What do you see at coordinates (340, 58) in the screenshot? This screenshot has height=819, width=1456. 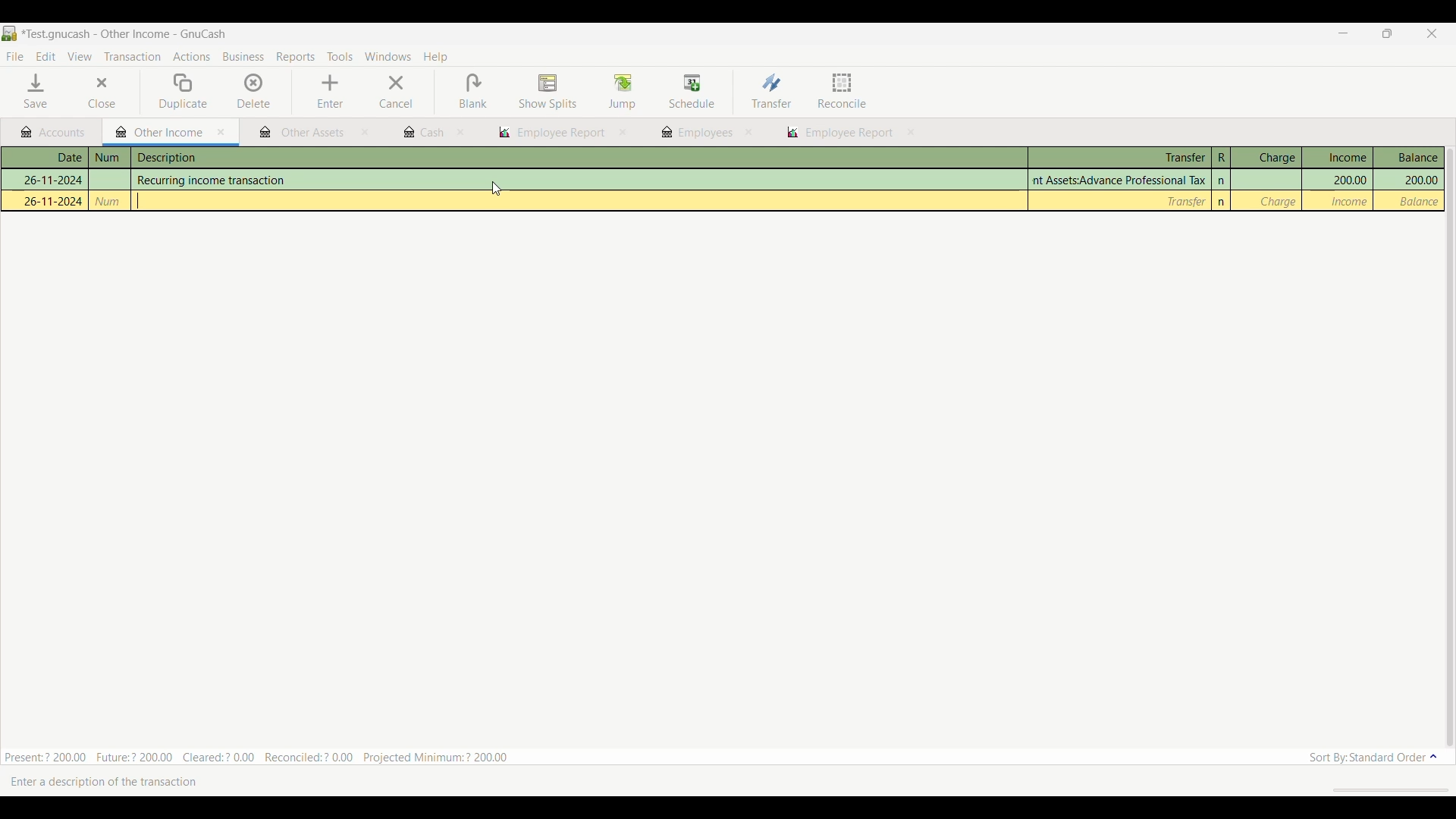 I see `Tools menu` at bounding box center [340, 58].